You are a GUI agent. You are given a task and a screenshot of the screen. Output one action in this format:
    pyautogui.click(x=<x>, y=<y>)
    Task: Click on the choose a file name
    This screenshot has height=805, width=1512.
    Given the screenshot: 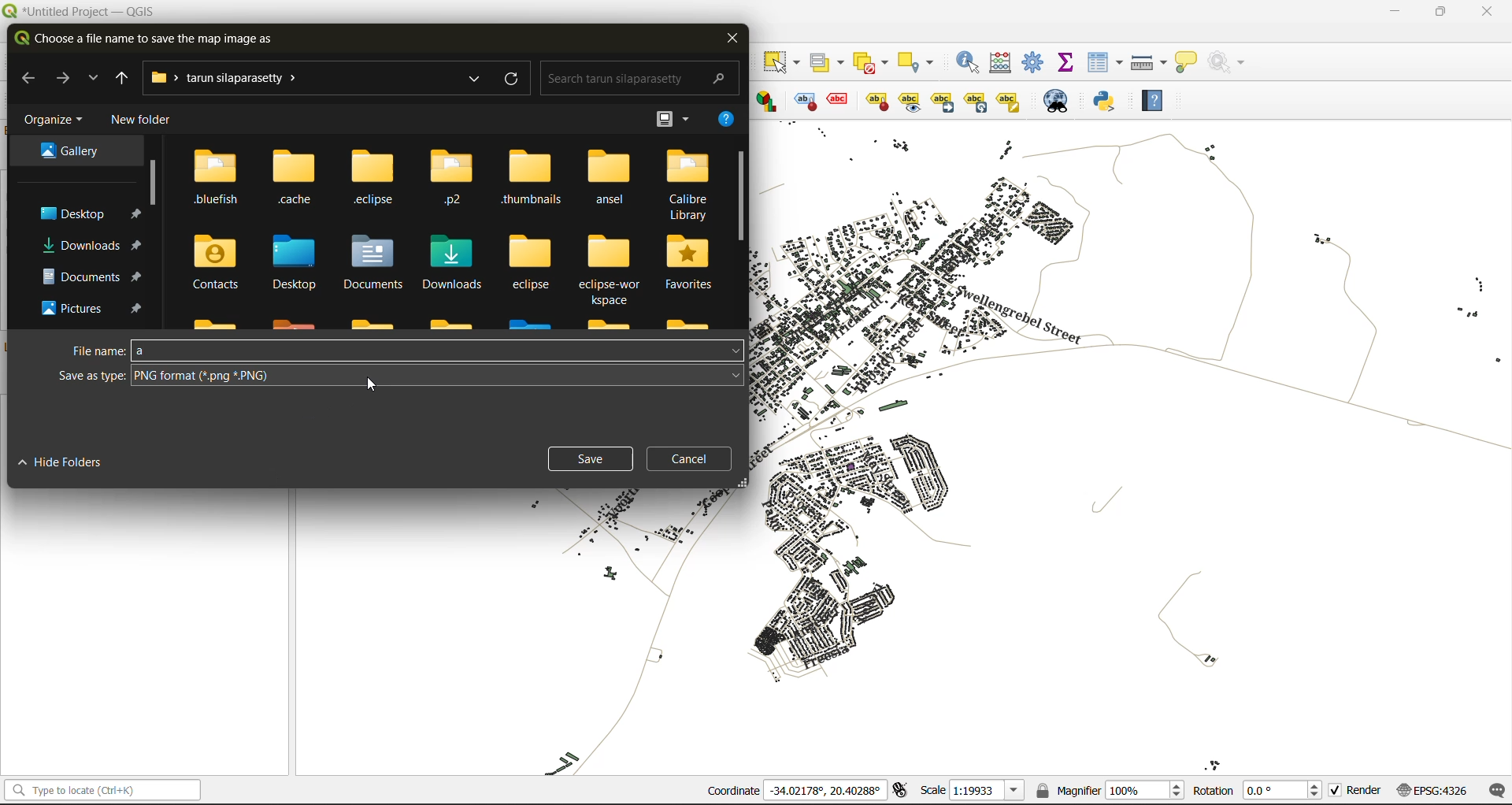 What is the action you would take?
    pyautogui.click(x=147, y=40)
    